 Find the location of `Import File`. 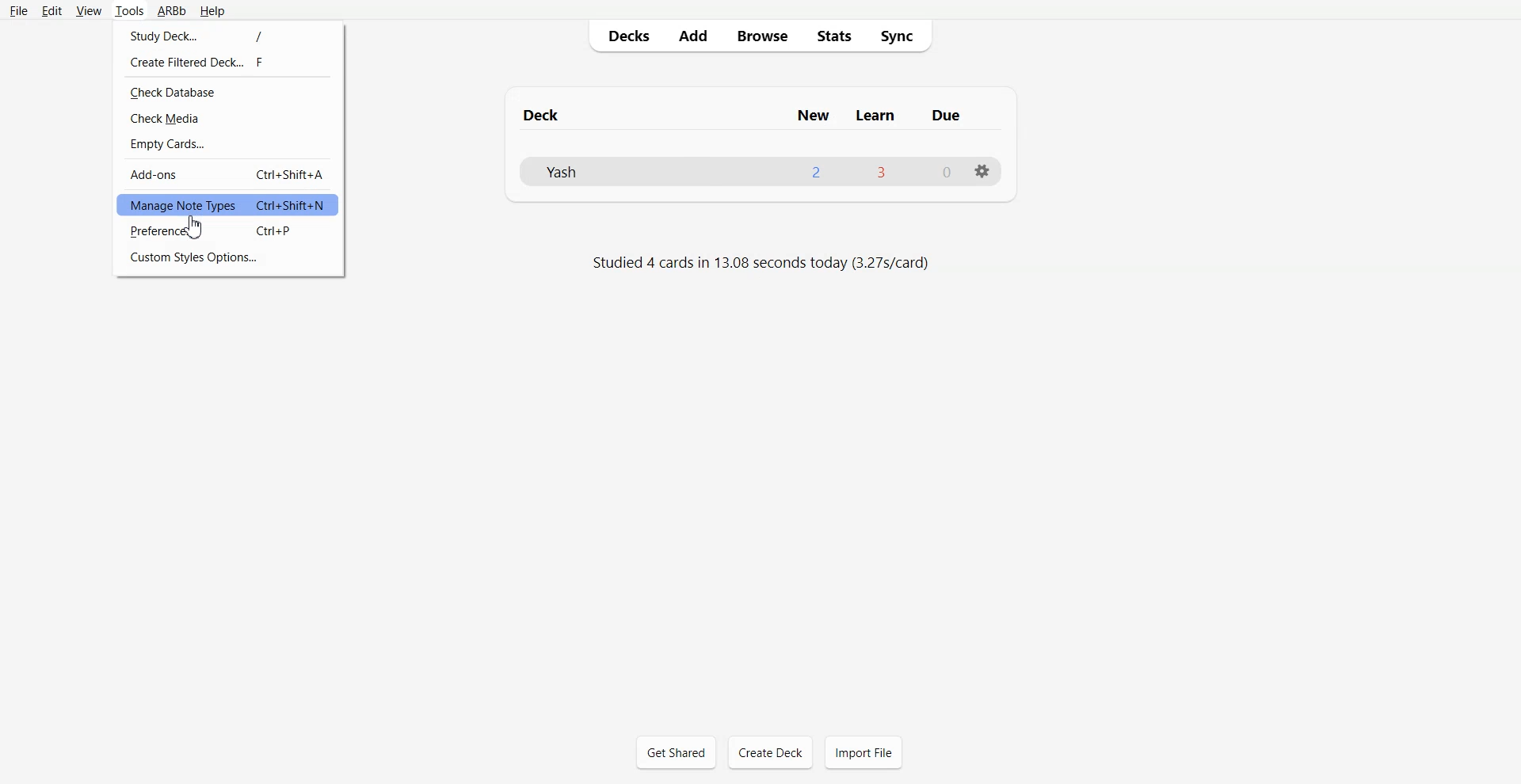

Import File is located at coordinates (863, 752).